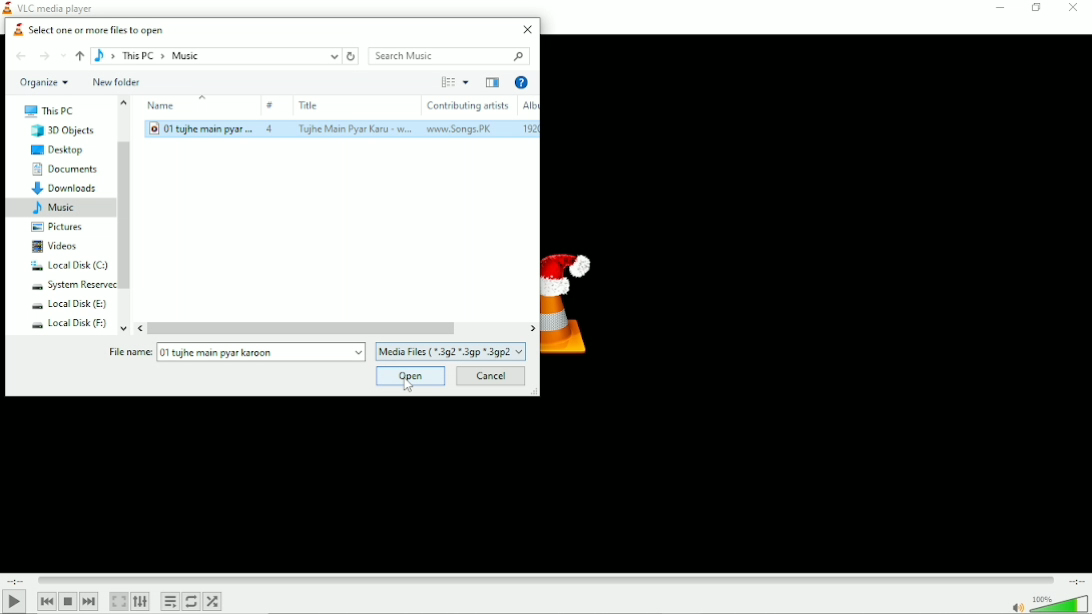 The width and height of the screenshot is (1092, 614). I want to click on VLC media player, so click(49, 7).